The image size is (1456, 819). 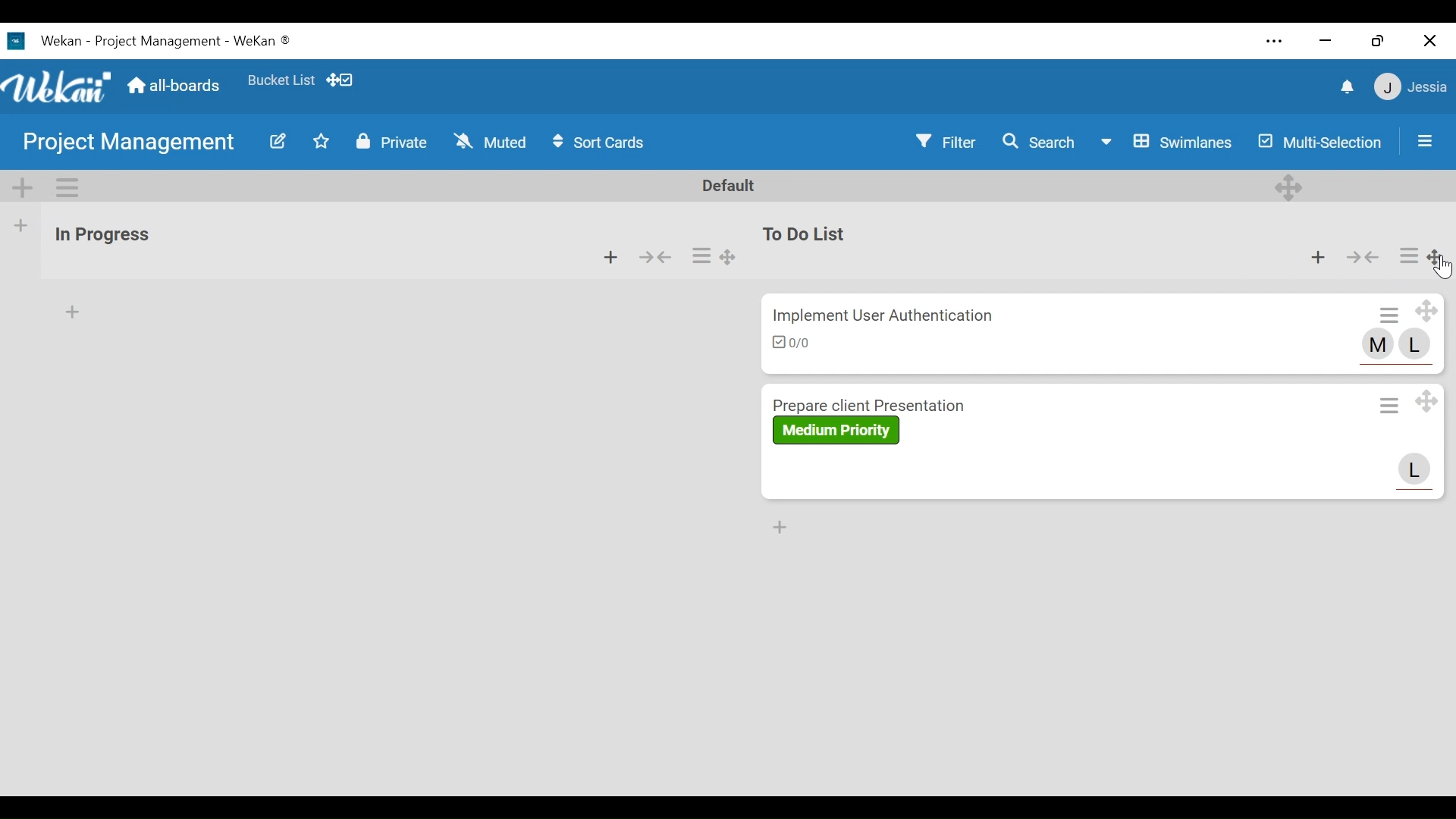 I want to click on Add card to the top of the list, so click(x=74, y=312).